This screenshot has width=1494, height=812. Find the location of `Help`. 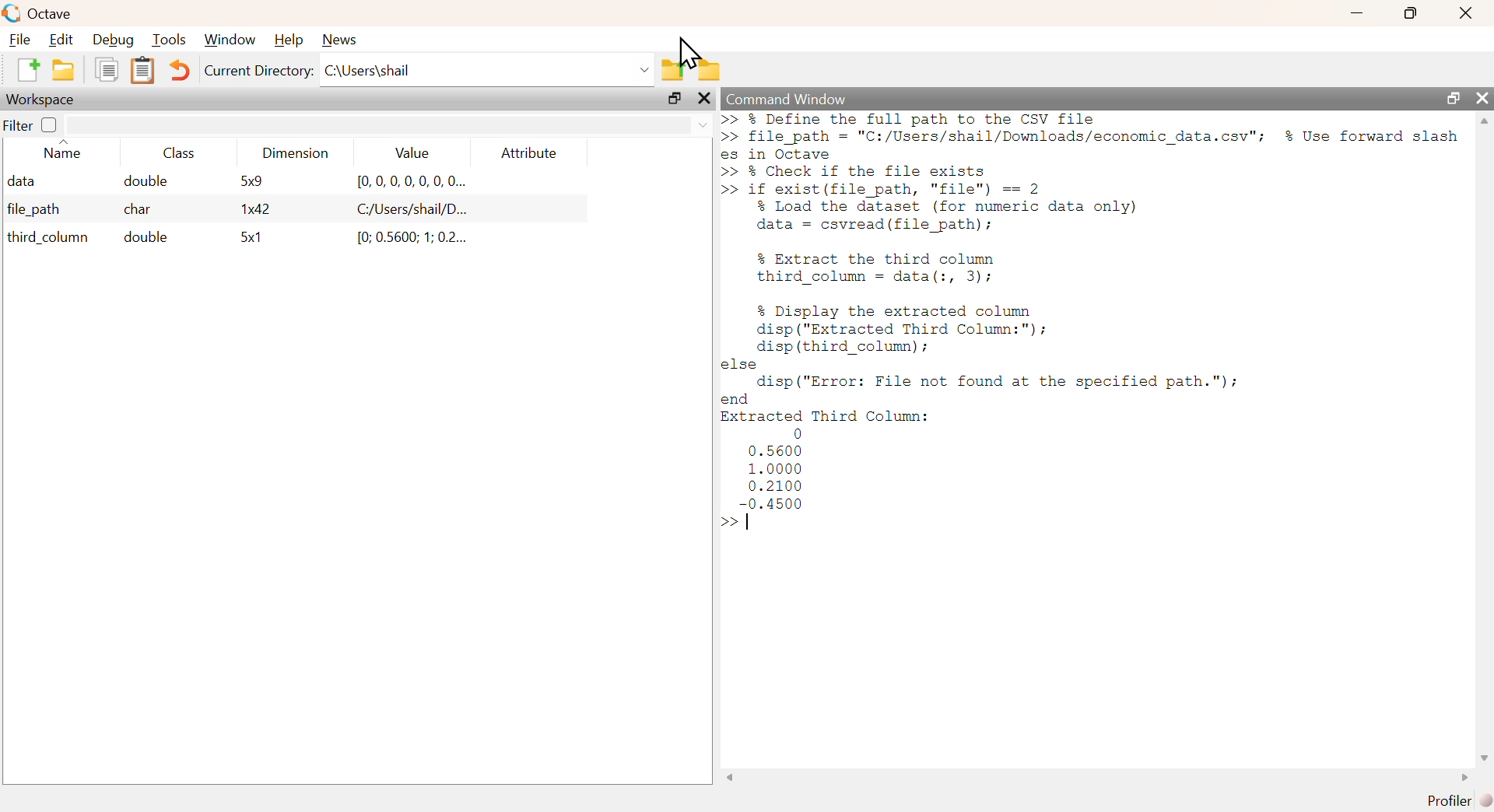

Help is located at coordinates (289, 41).